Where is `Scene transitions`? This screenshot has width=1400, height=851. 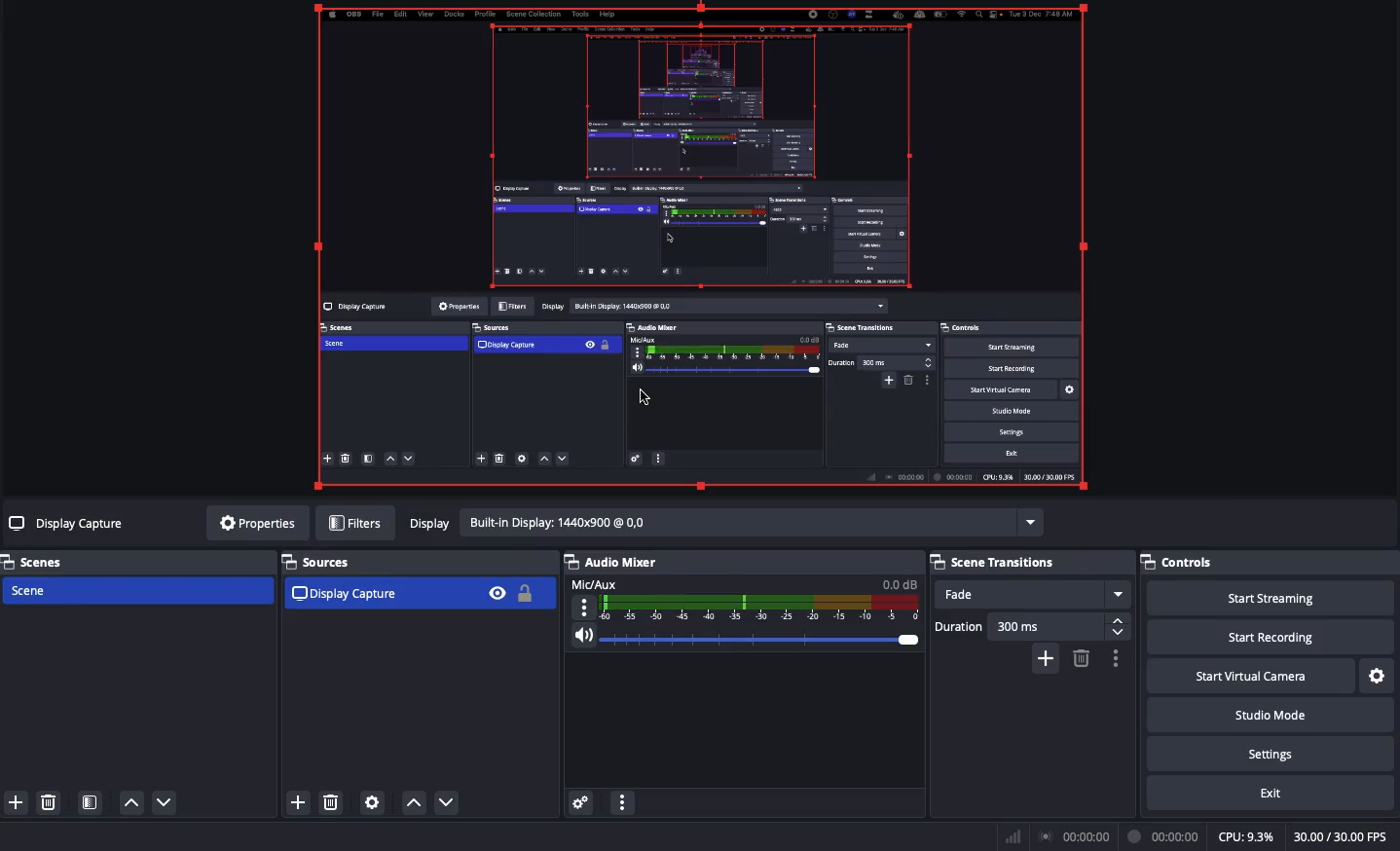
Scene transitions is located at coordinates (1030, 562).